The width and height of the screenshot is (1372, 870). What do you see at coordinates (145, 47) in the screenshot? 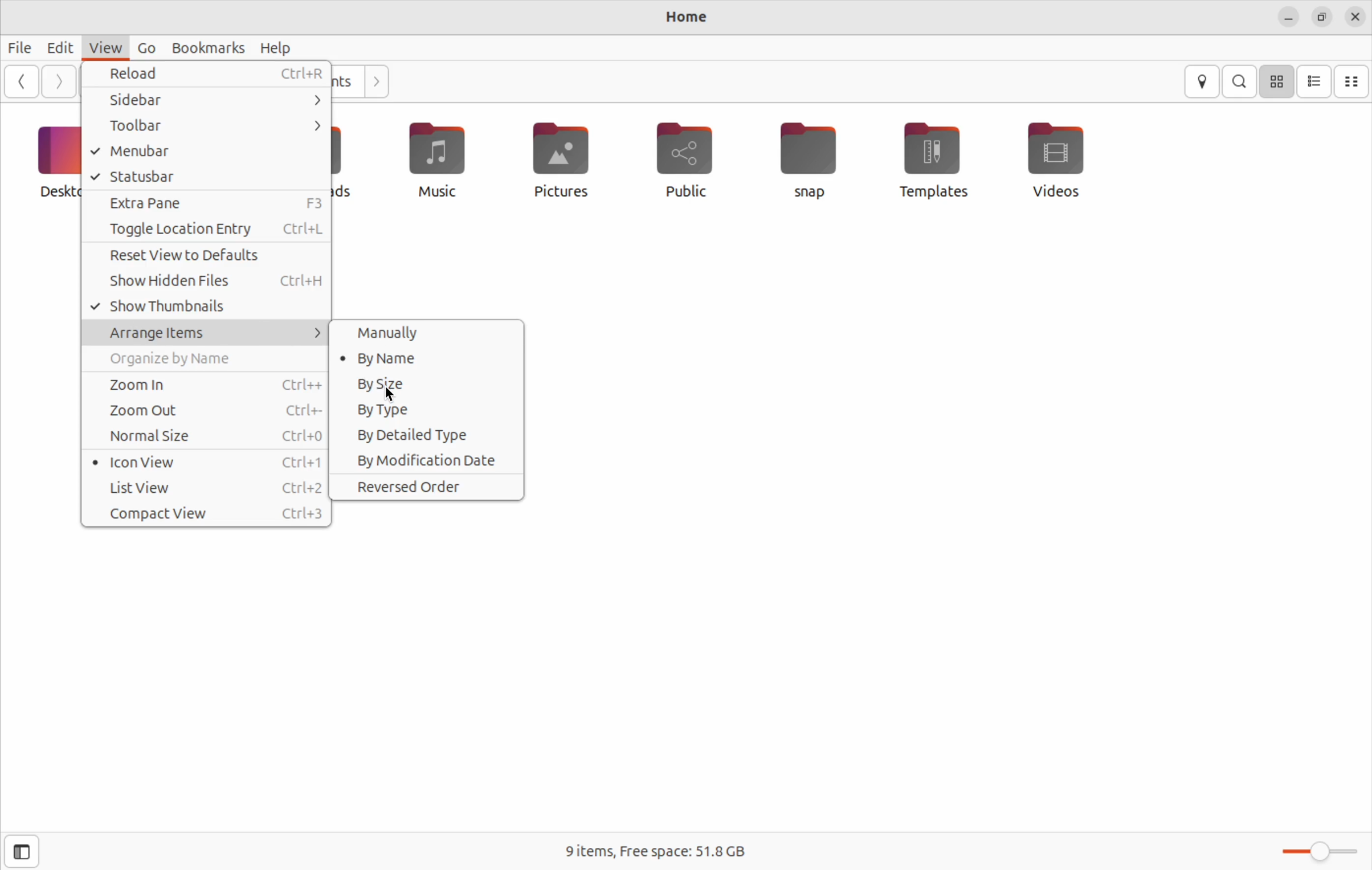
I see `Go` at bounding box center [145, 47].